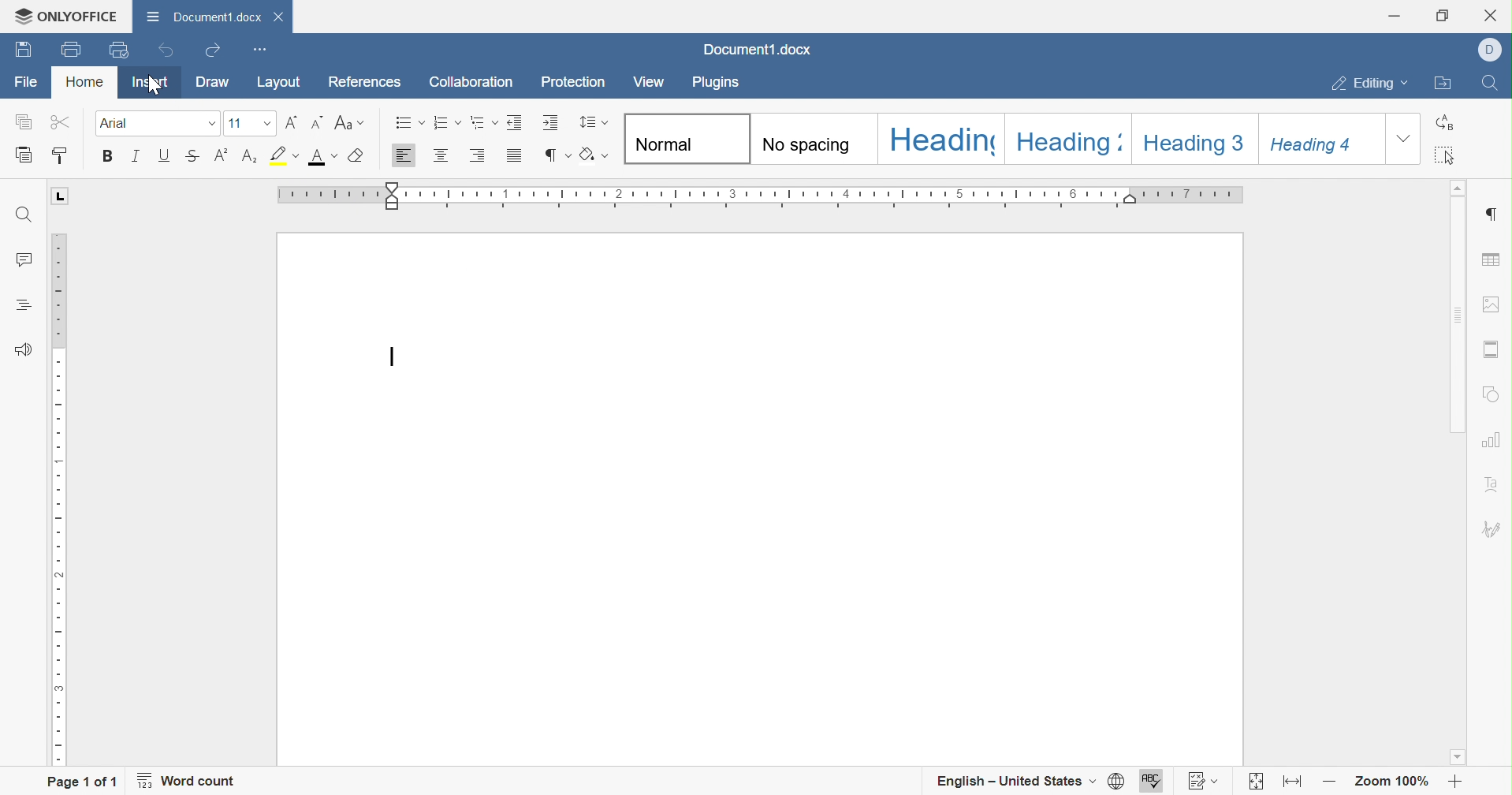 This screenshot has width=1512, height=795. What do you see at coordinates (516, 155) in the screenshot?
I see `Justified` at bounding box center [516, 155].